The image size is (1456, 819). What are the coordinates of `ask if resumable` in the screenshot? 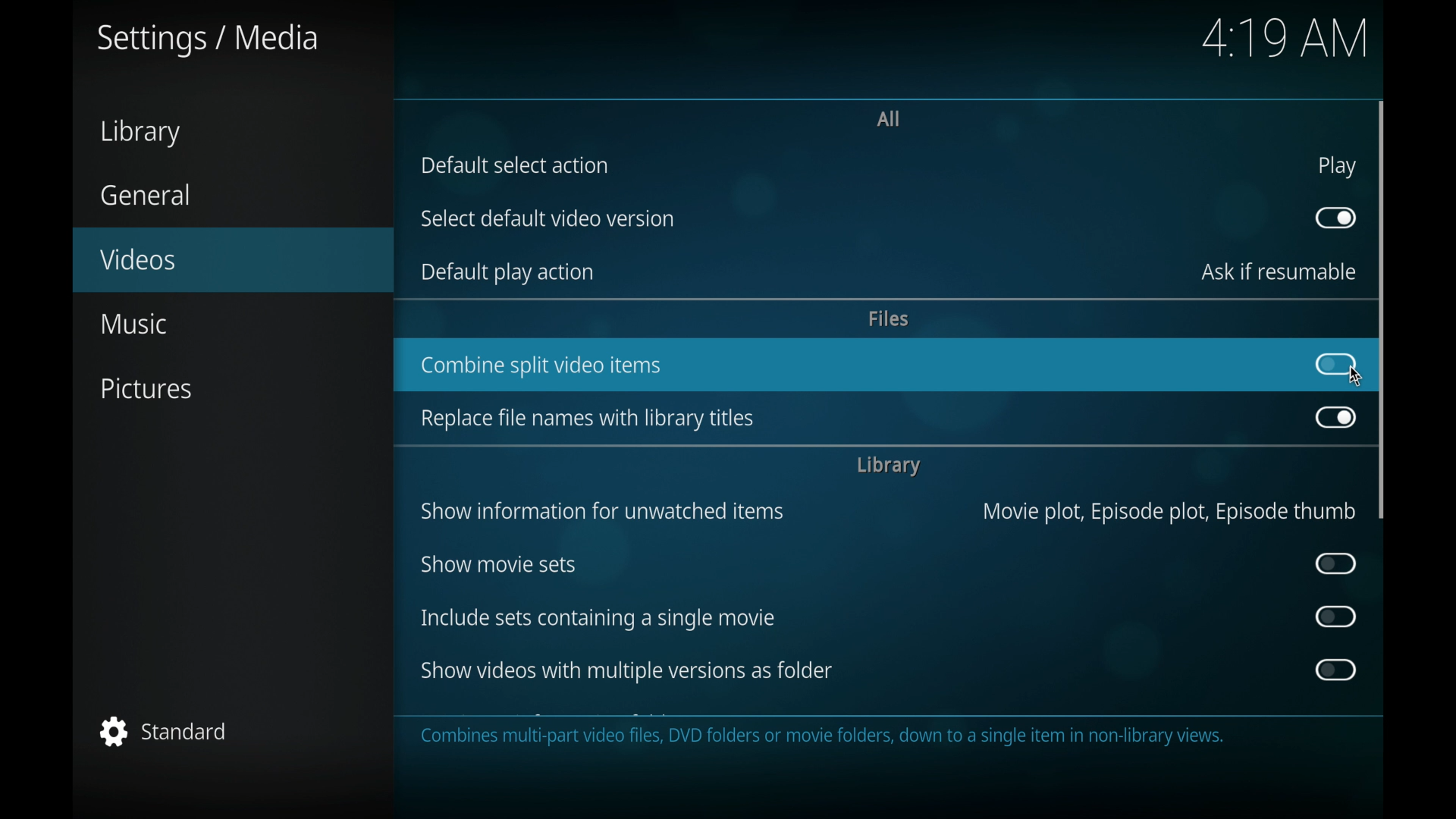 It's located at (1280, 271).